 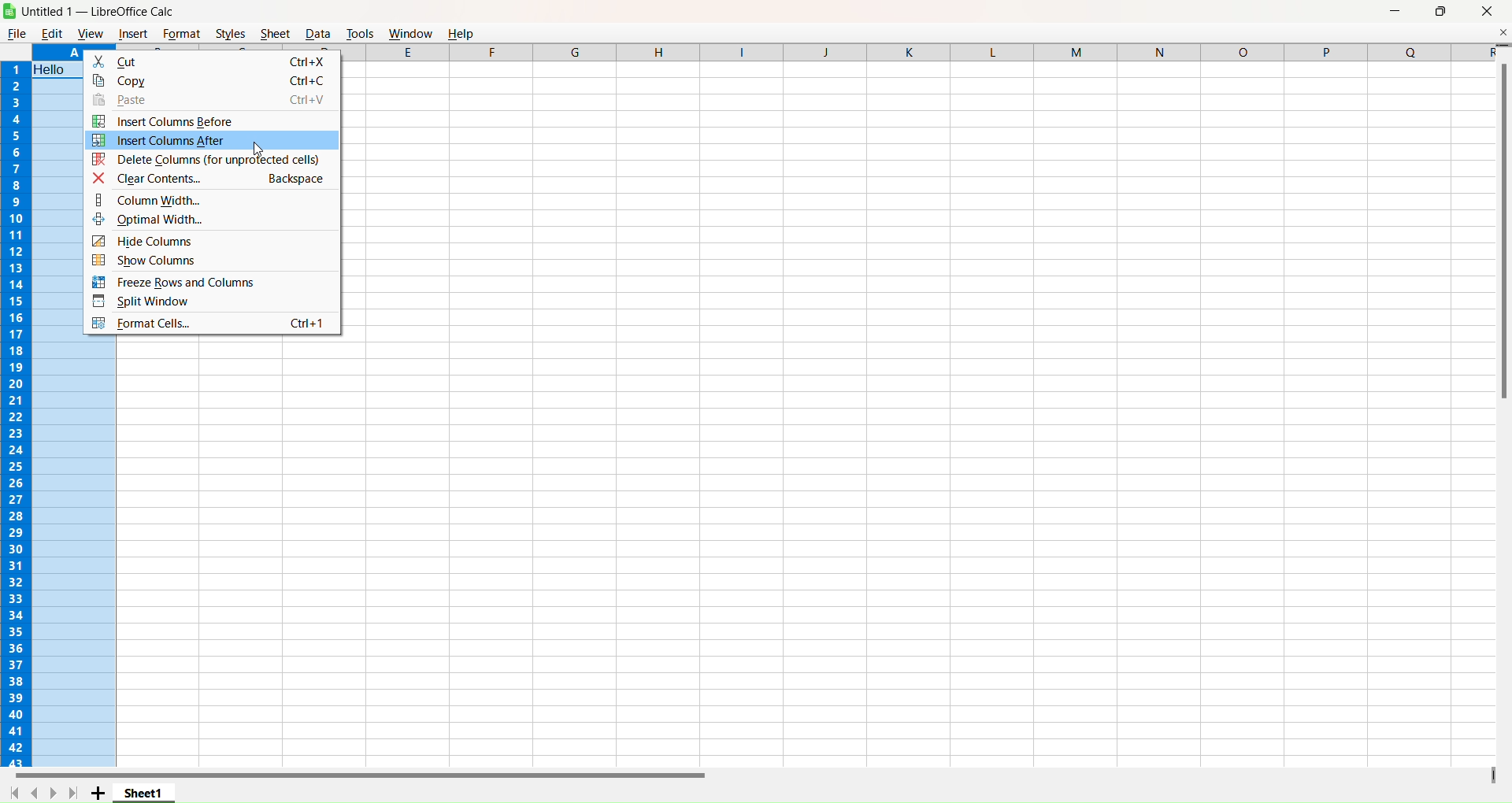 I want to click on Duplicate Sheet Area, so click(x=1492, y=774).